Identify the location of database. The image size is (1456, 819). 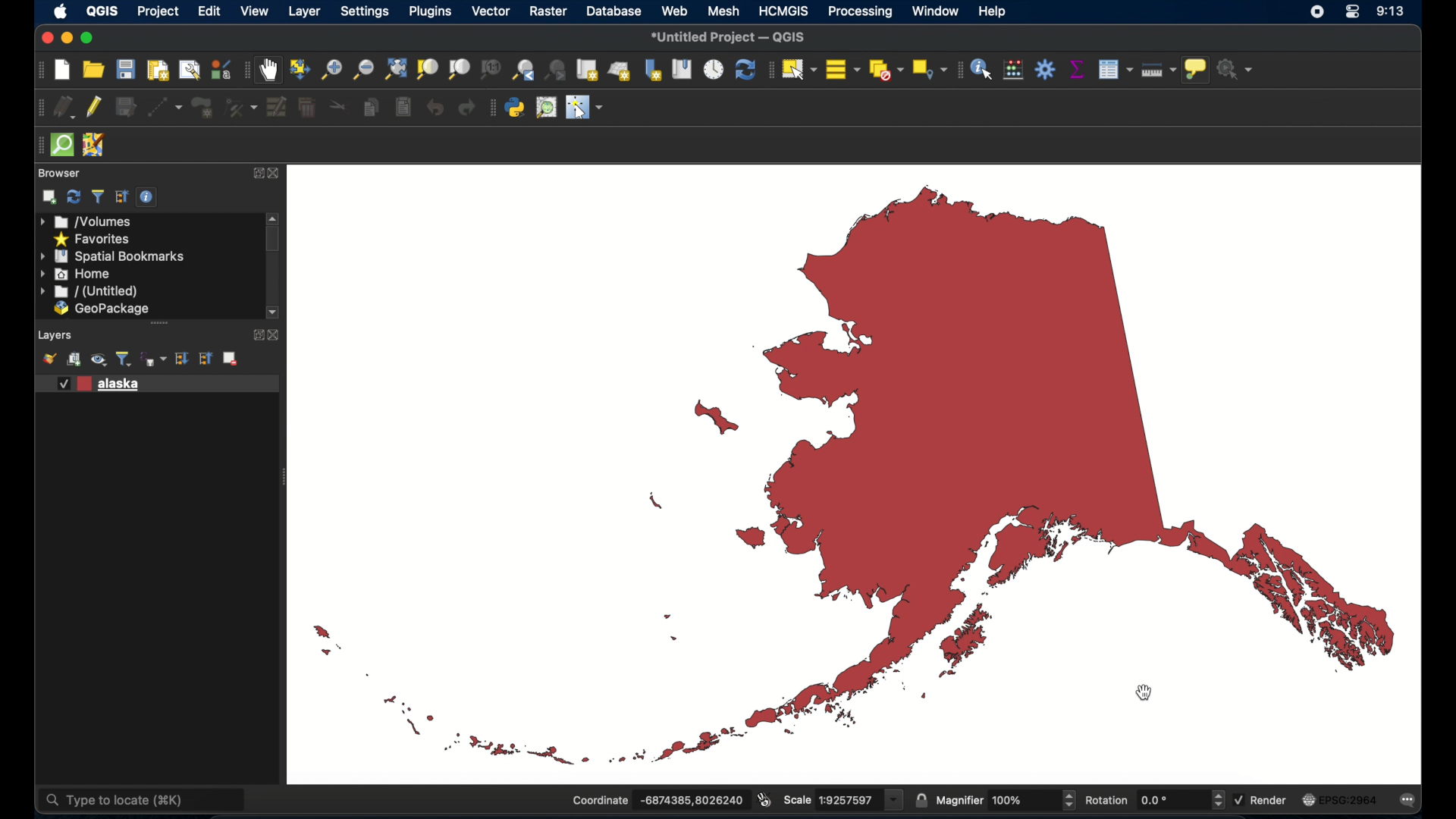
(613, 11).